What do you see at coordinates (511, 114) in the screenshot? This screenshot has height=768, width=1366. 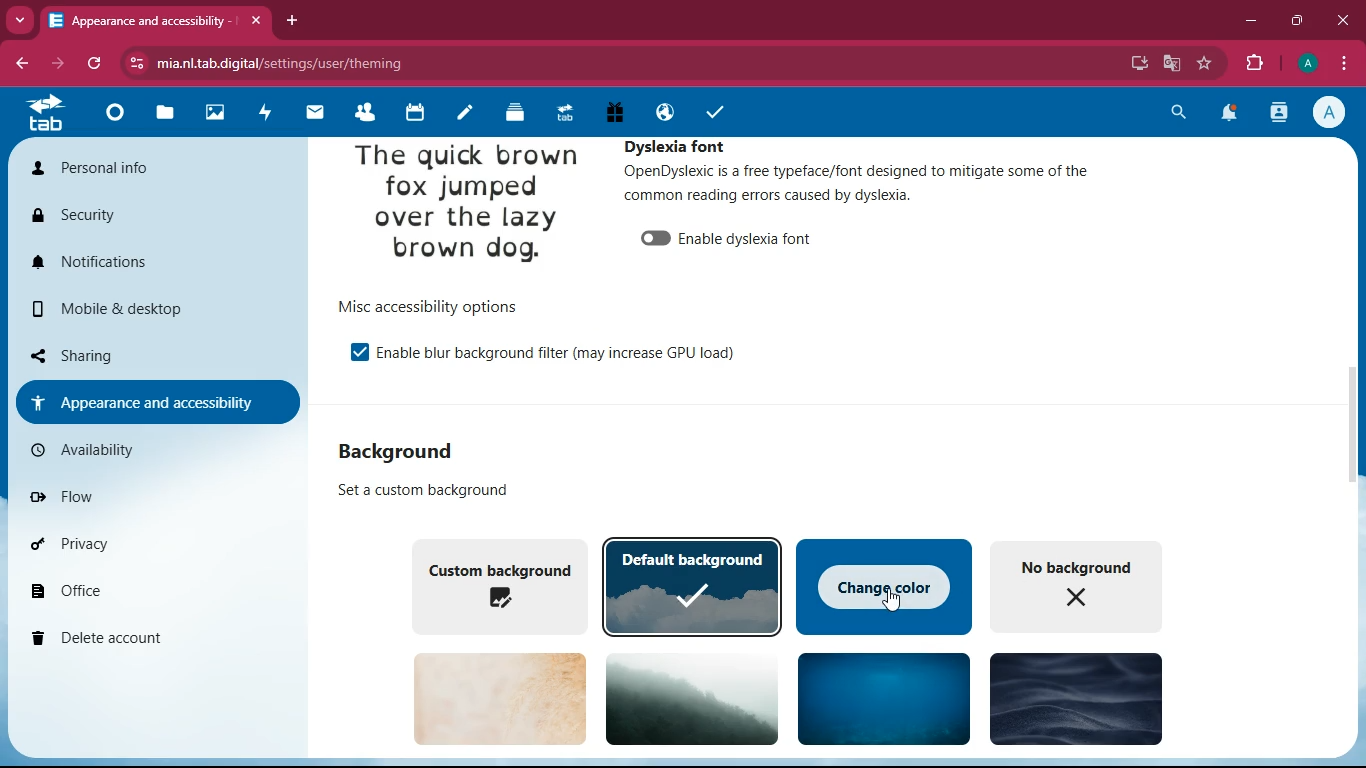 I see `layers` at bounding box center [511, 114].